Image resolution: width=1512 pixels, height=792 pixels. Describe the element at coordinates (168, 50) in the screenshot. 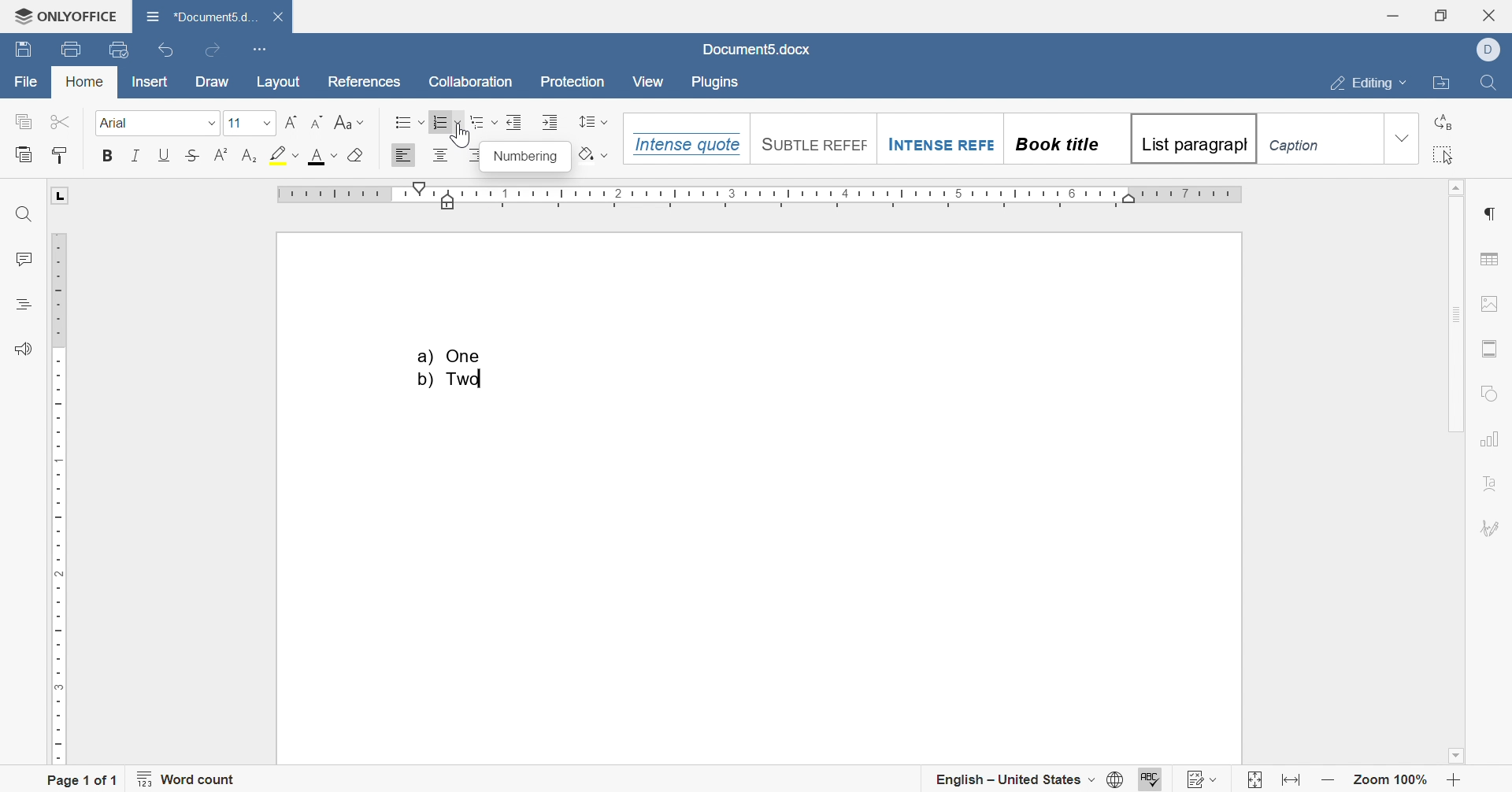

I see `undo` at that location.